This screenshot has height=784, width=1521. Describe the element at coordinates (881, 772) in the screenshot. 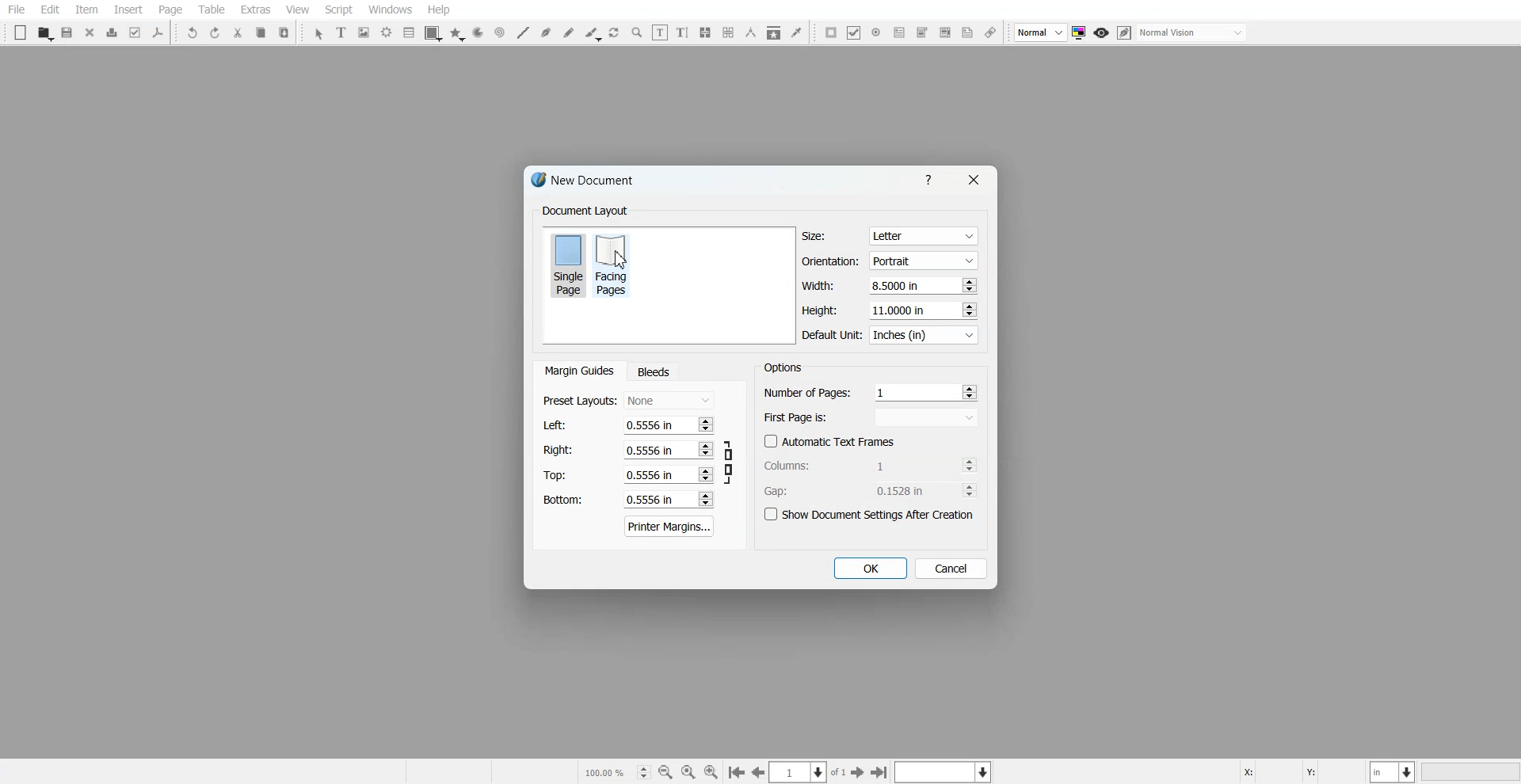

I see `Go to the first page` at that location.